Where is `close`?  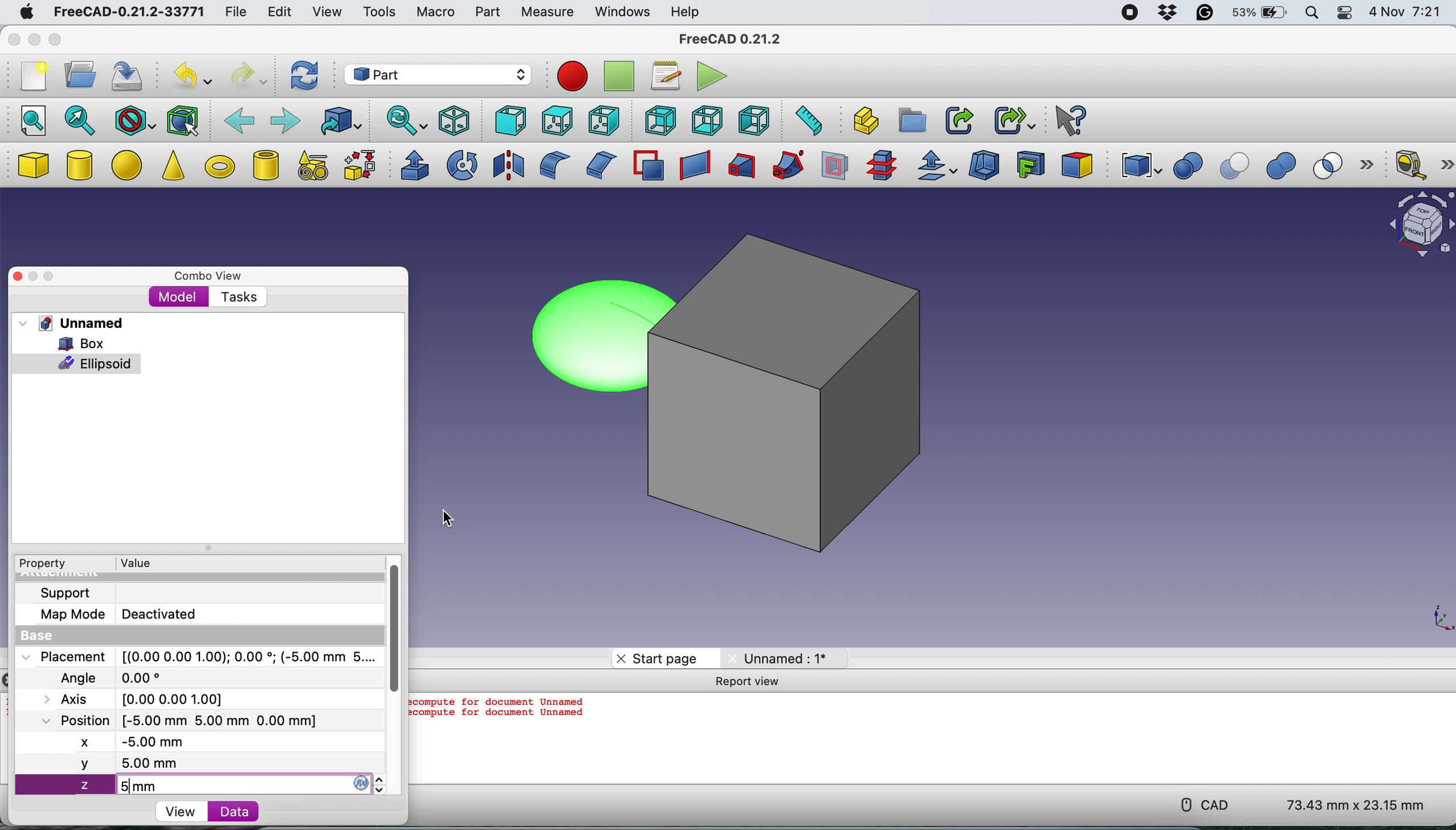
close is located at coordinates (12, 40).